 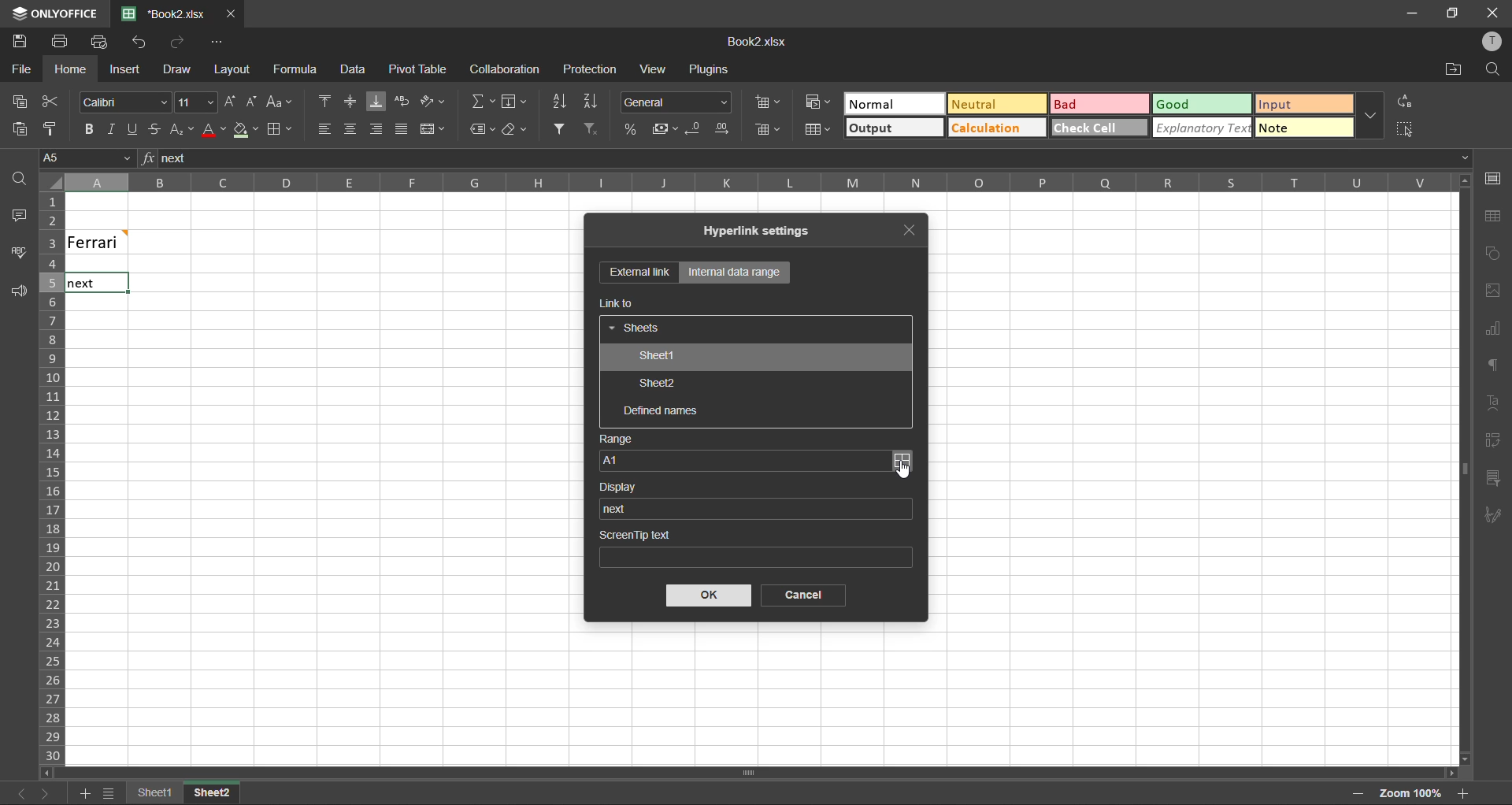 I want to click on underline, so click(x=132, y=131).